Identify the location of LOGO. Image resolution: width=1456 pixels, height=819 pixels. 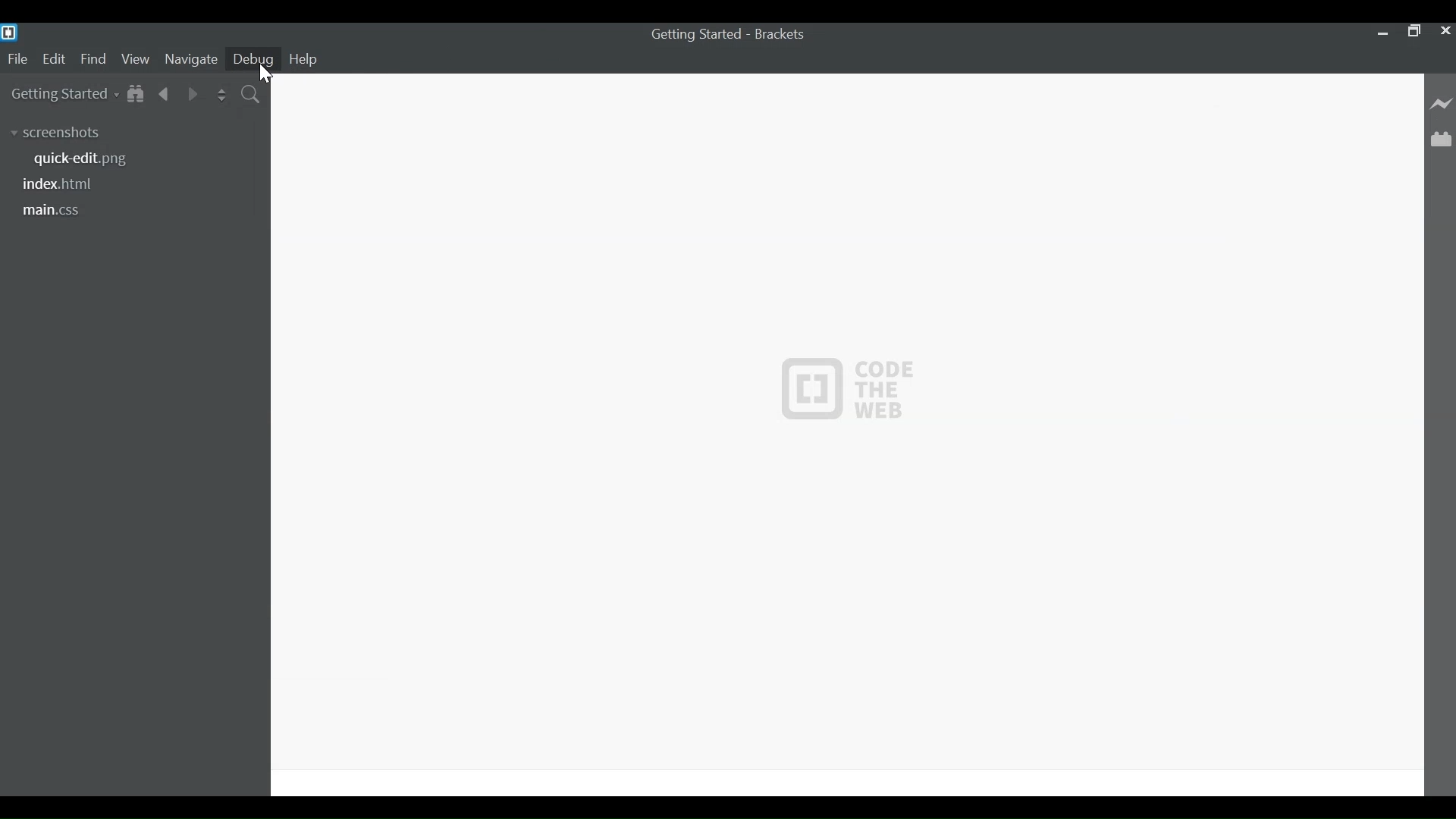
(848, 386).